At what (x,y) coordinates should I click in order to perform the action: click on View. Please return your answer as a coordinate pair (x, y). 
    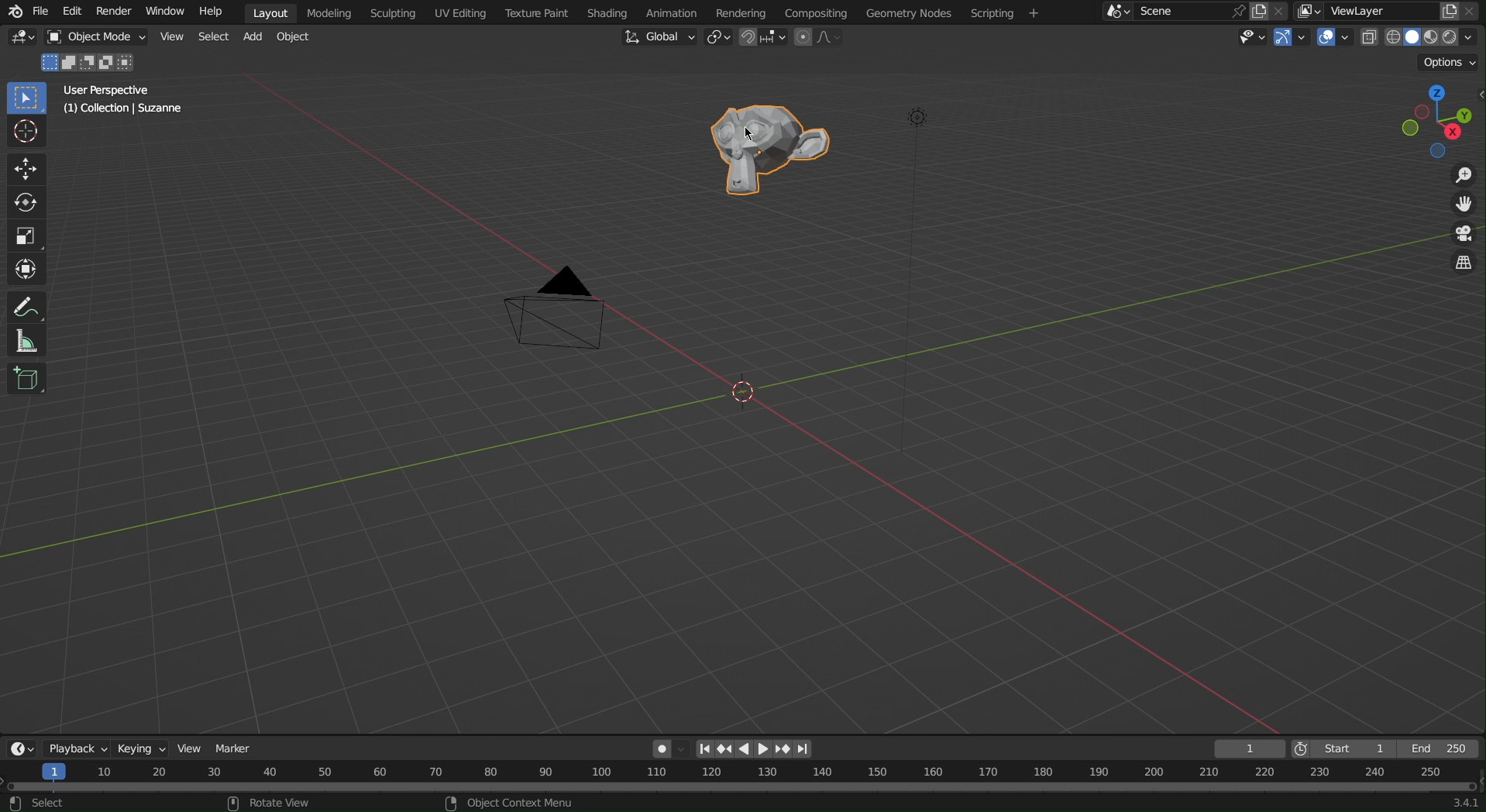
    Looking at the image, I should click on (190, 748).